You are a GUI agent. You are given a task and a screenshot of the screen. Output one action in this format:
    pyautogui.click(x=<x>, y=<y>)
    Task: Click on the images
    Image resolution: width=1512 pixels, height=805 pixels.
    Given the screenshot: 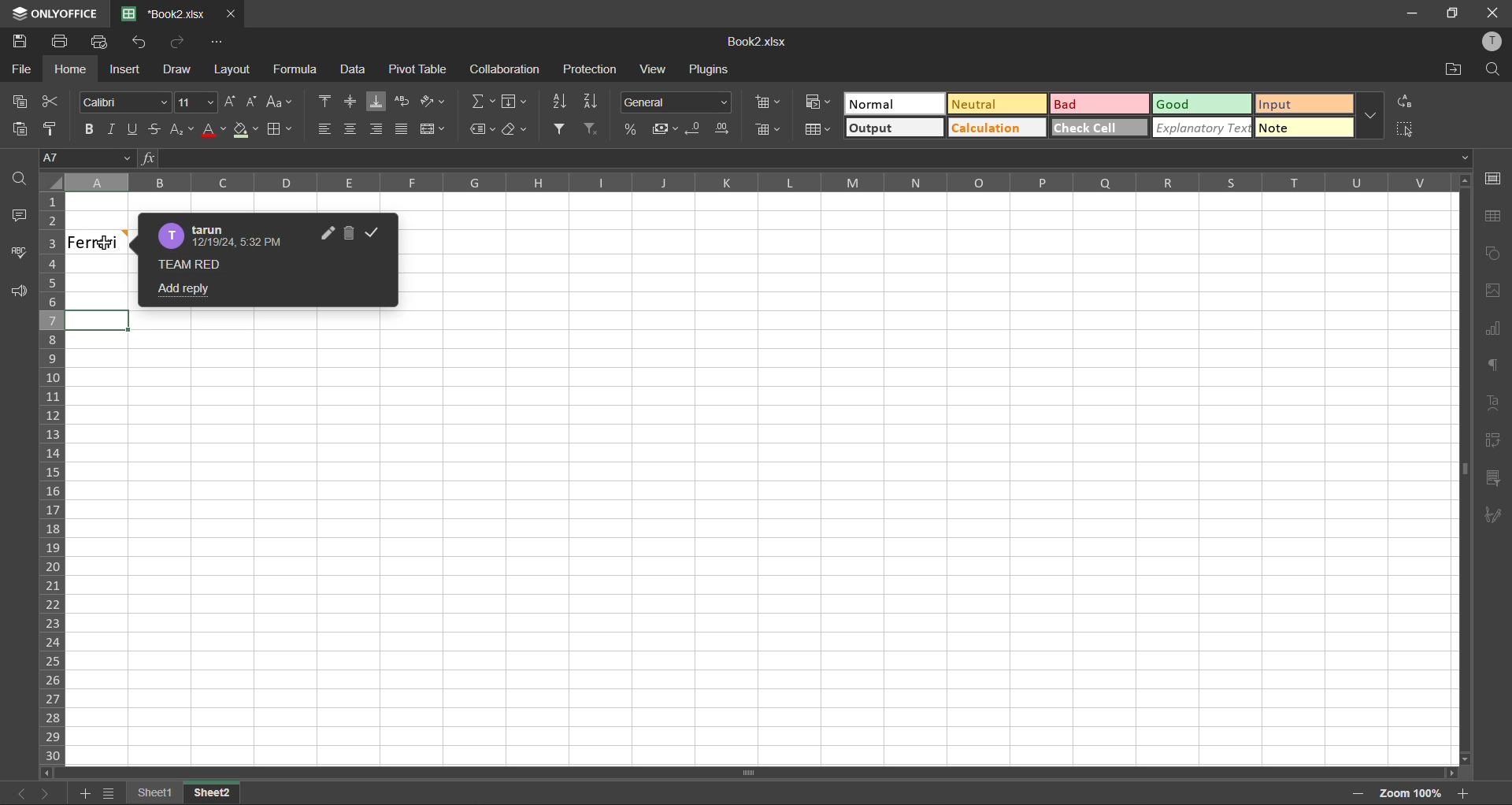 What is the action you would take?
    pyautogui.click(x=1495, y=293)
    